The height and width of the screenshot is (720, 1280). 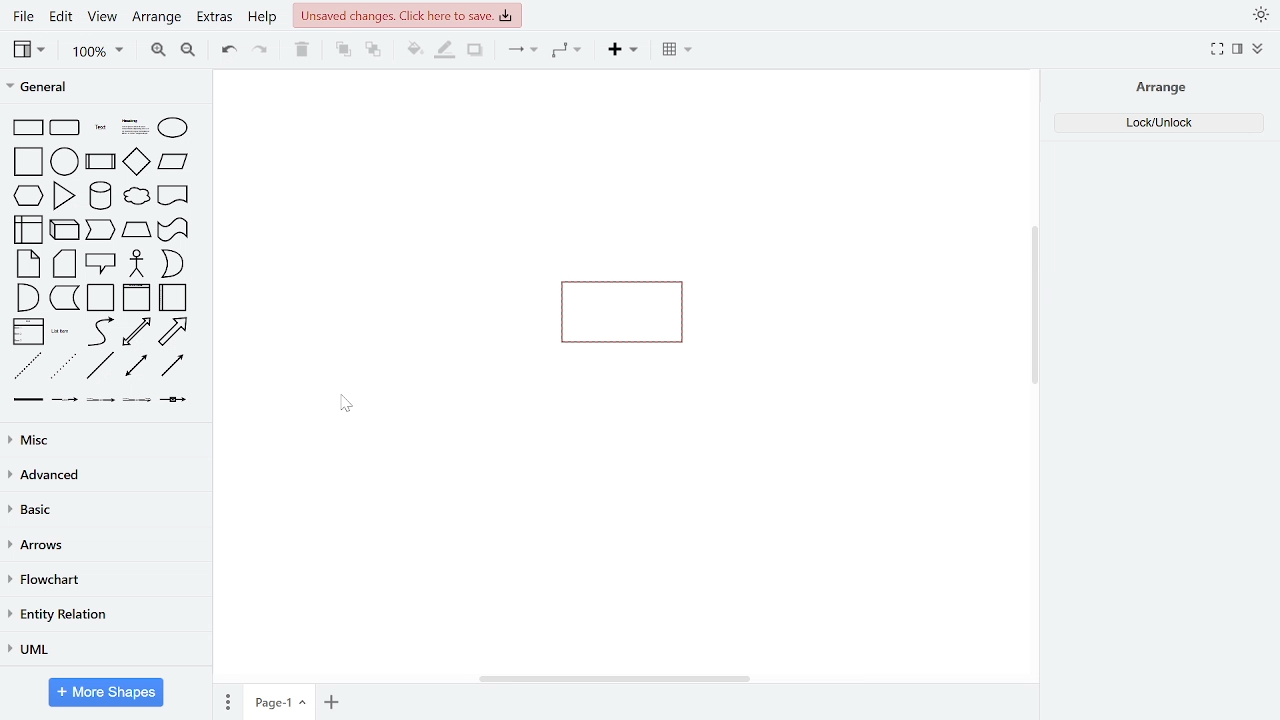 I want to click on misc, so click(x=102, y=439).